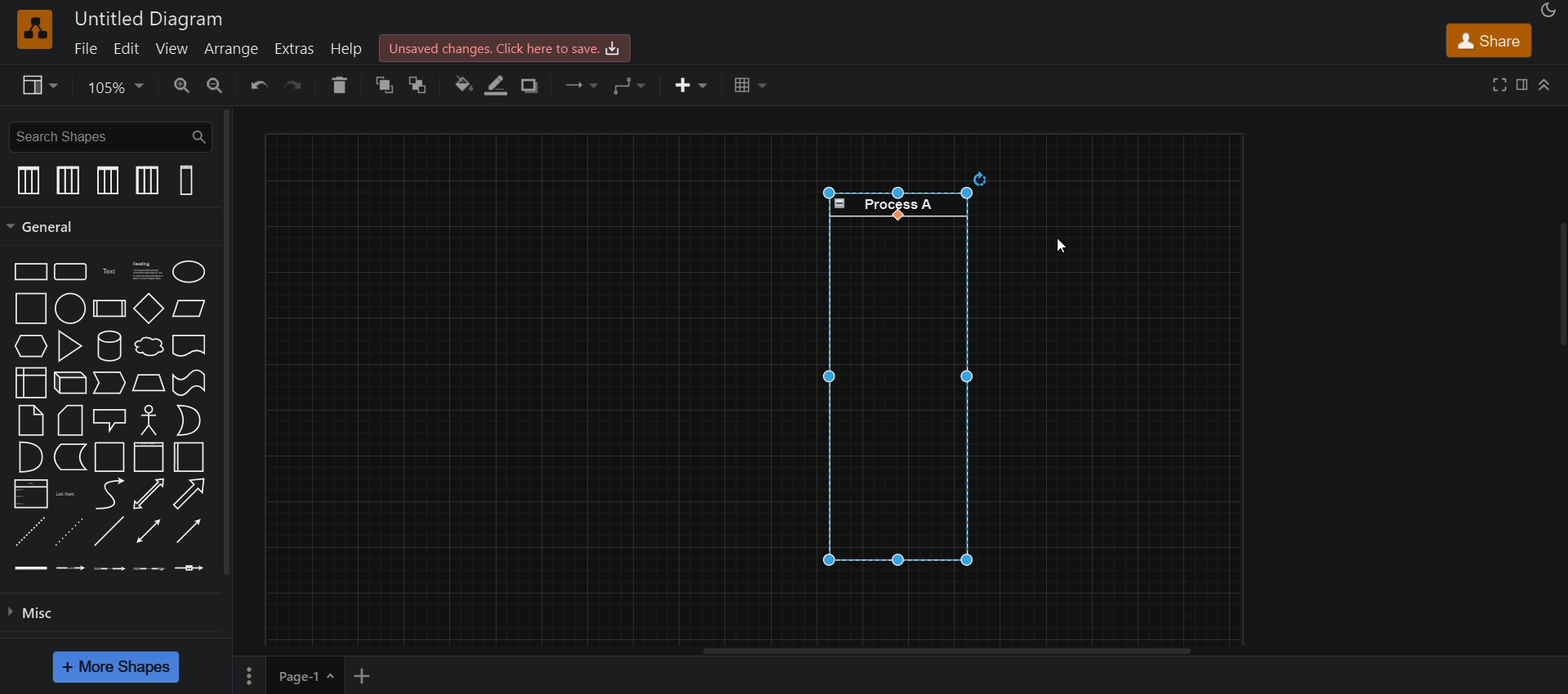 The image size is (1568, 694). I want to click on misc, so click(31, 617).